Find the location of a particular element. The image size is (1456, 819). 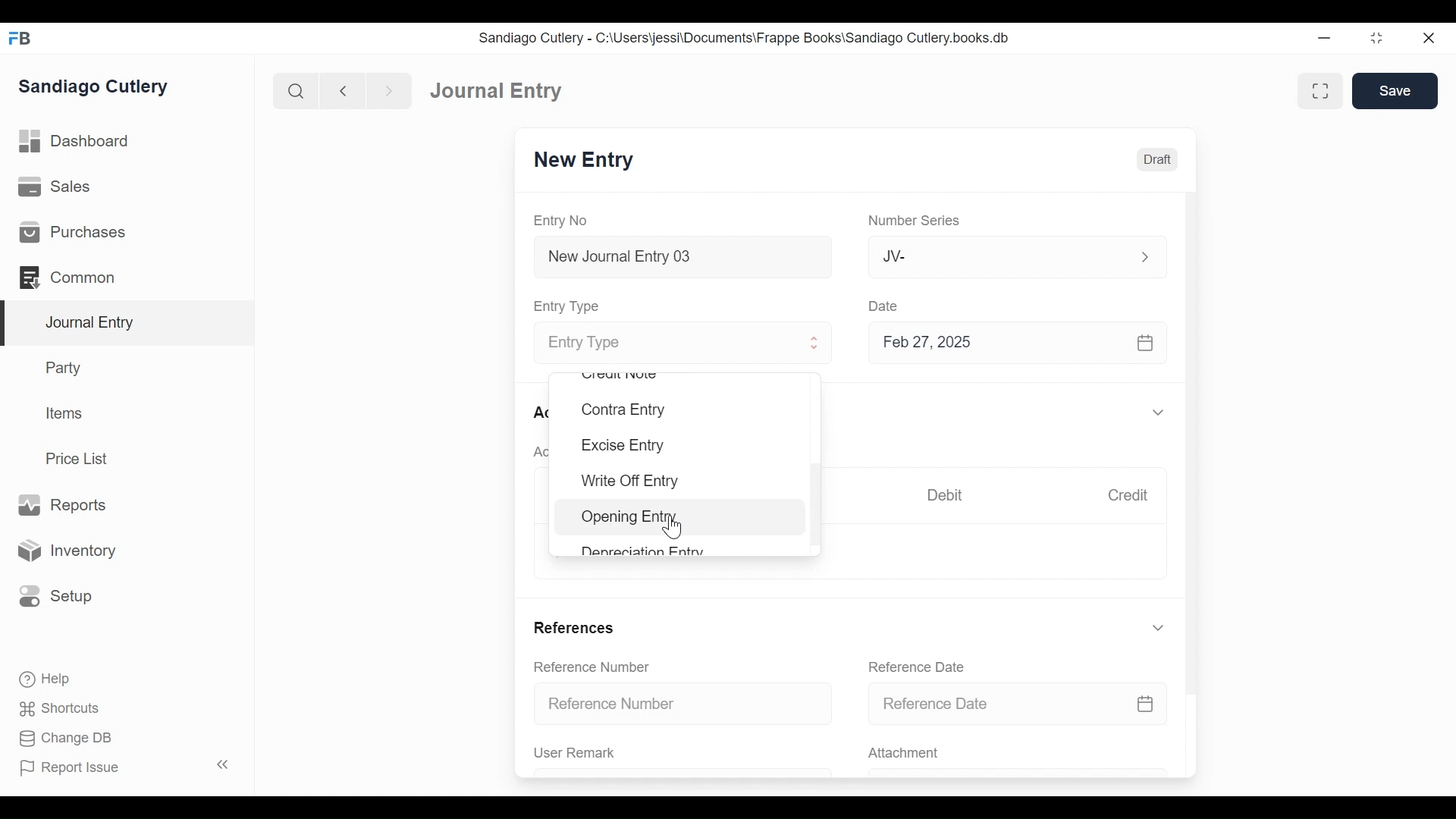

Reports is located at coordinates (67, 505).